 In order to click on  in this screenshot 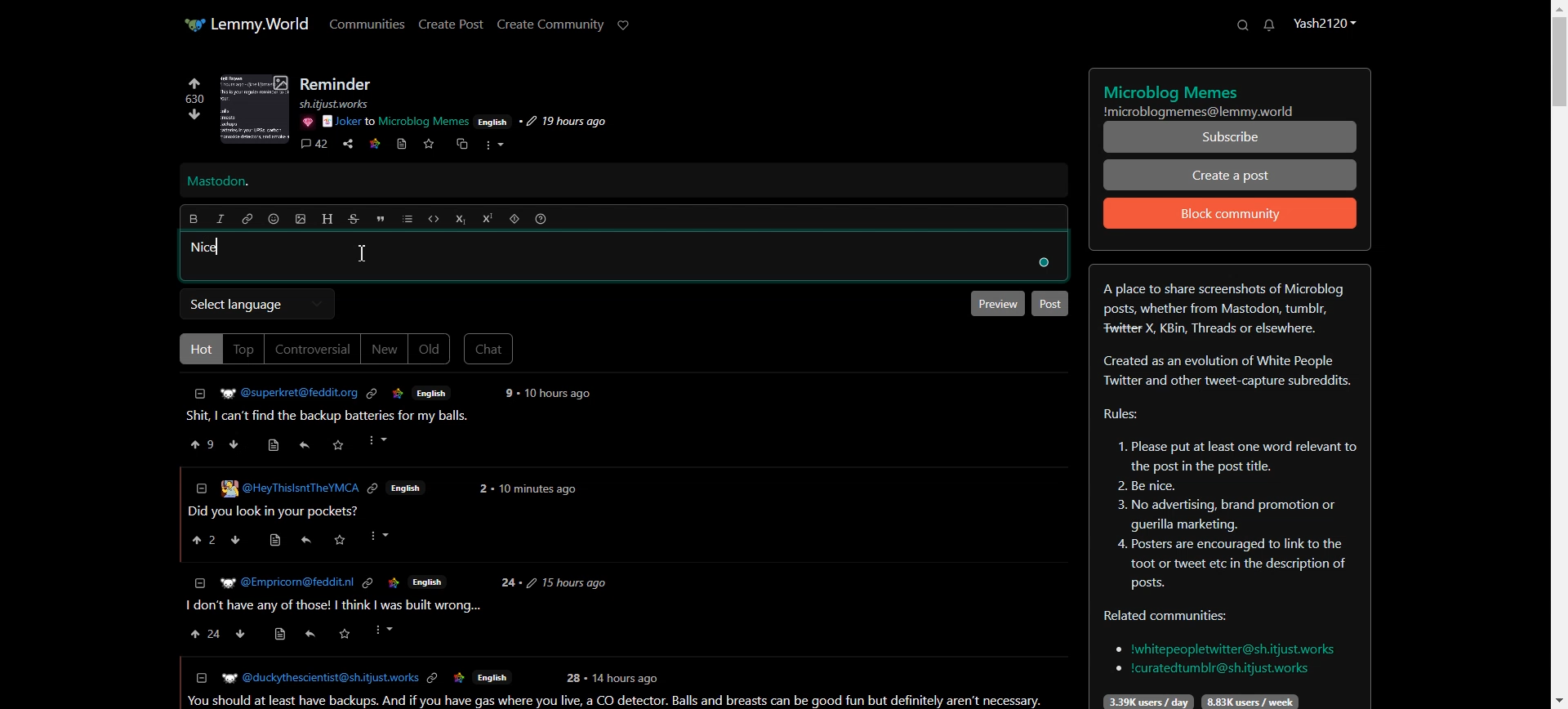, I will do `click(344, 104)`.